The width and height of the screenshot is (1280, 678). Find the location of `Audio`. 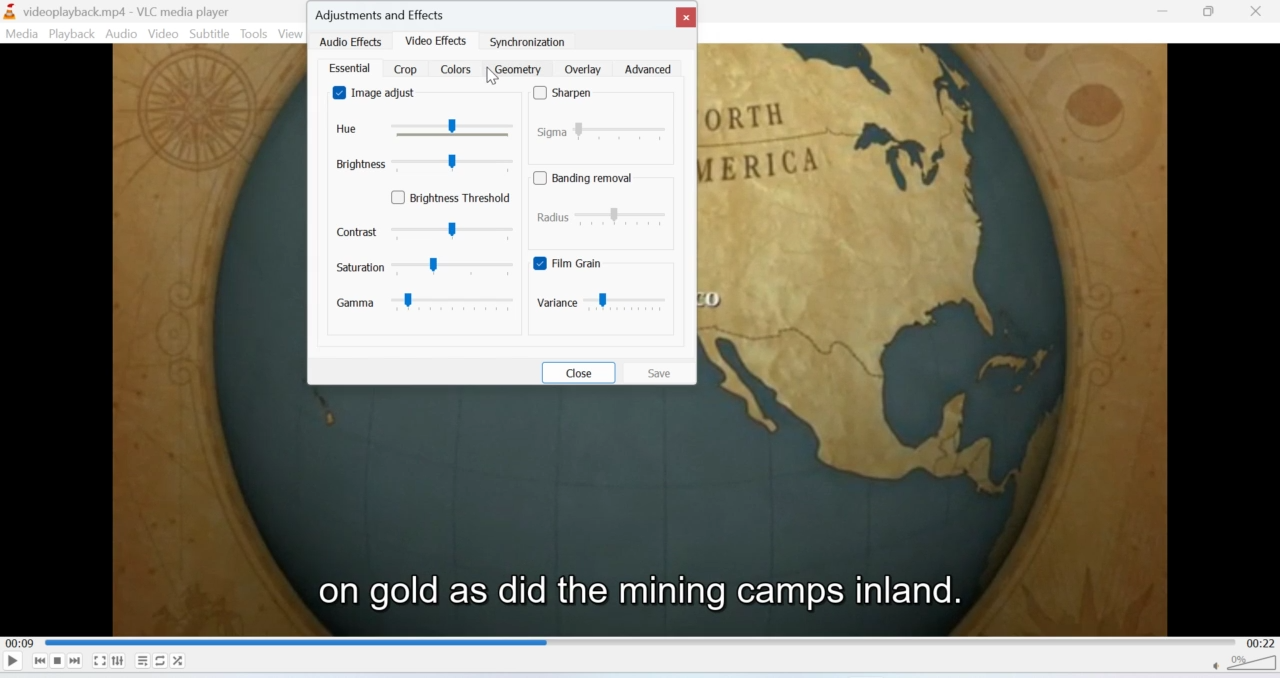

Audio is located at coordinates (122, 34).